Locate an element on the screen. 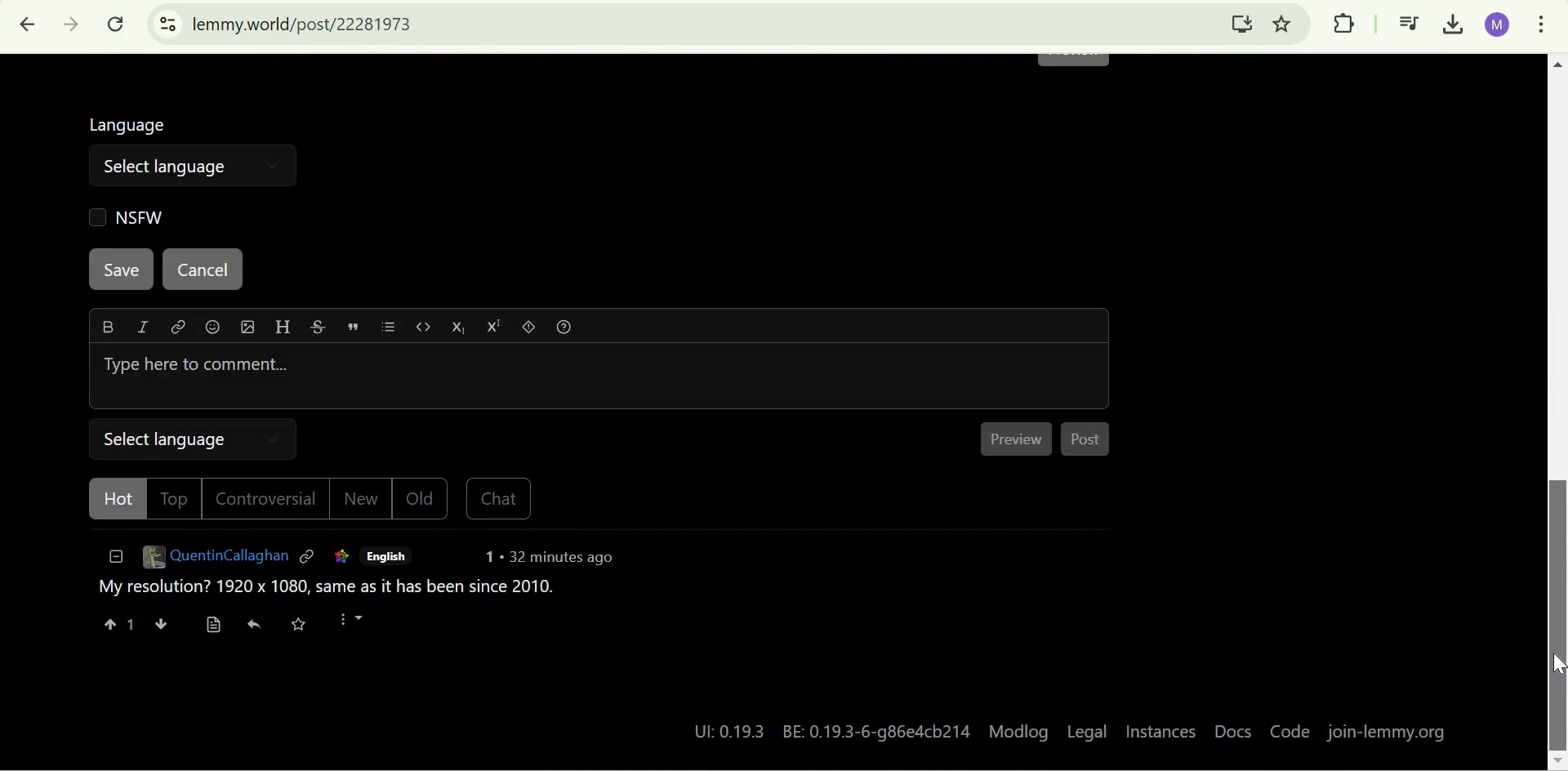 The width and height of the screenshot is (1568, 771). quote is located at coordinates (355, 327).